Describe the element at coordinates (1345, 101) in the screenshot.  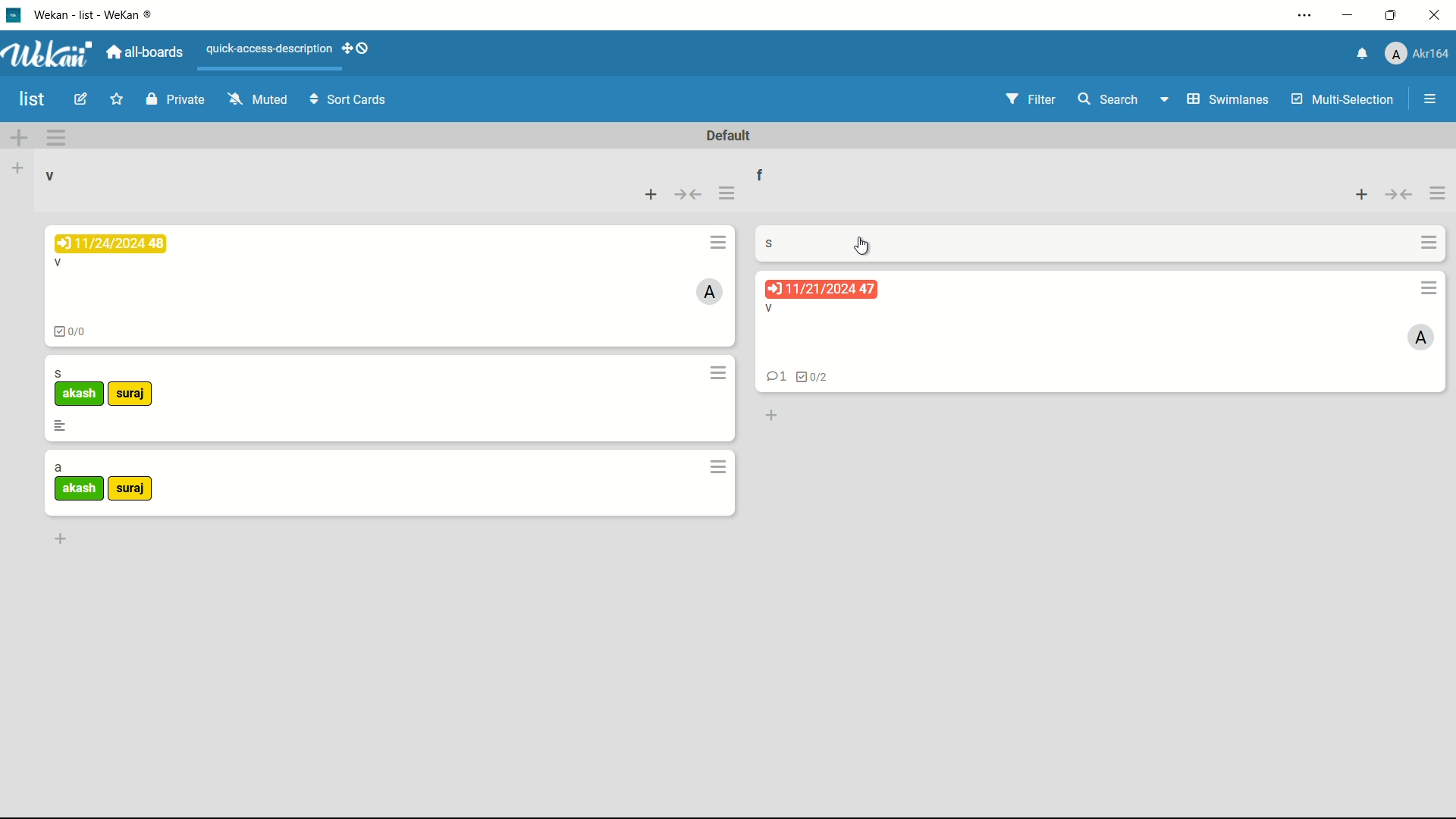
I see `multi selection` at that location.